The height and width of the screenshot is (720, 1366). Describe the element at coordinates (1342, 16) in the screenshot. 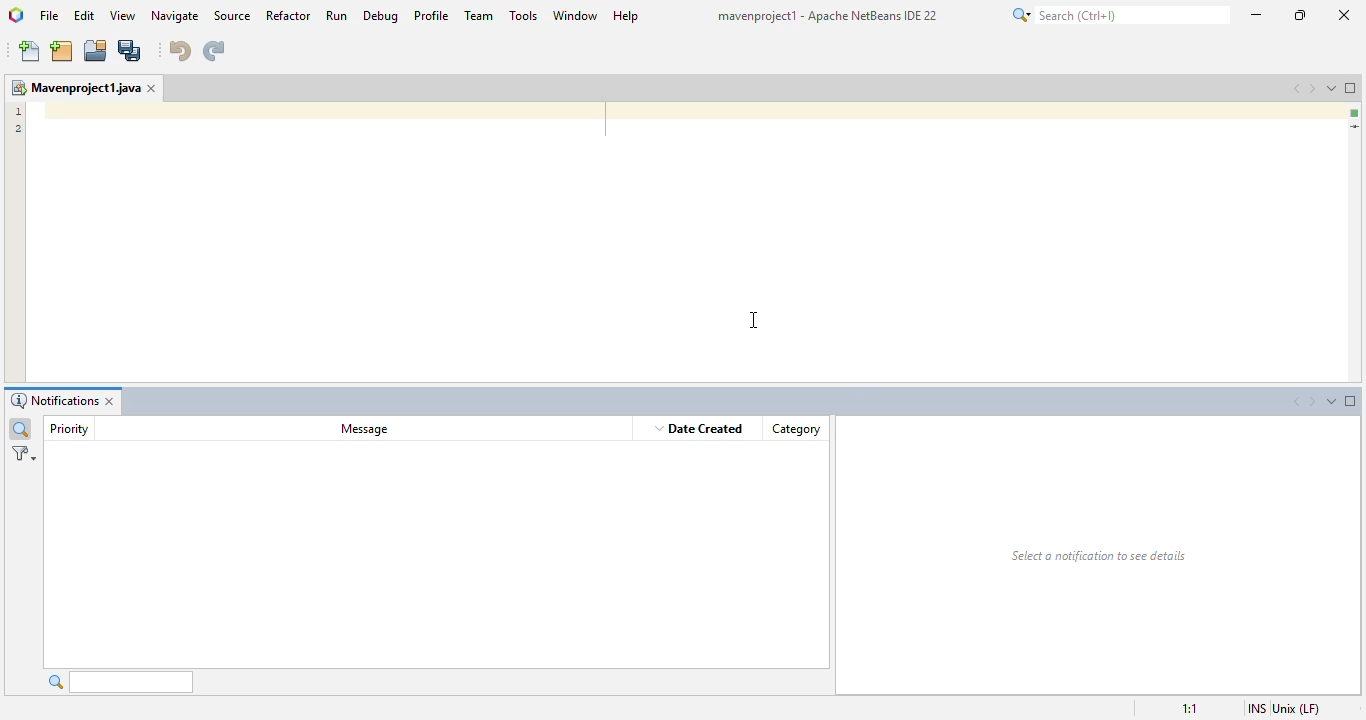

I see `close` at that location.